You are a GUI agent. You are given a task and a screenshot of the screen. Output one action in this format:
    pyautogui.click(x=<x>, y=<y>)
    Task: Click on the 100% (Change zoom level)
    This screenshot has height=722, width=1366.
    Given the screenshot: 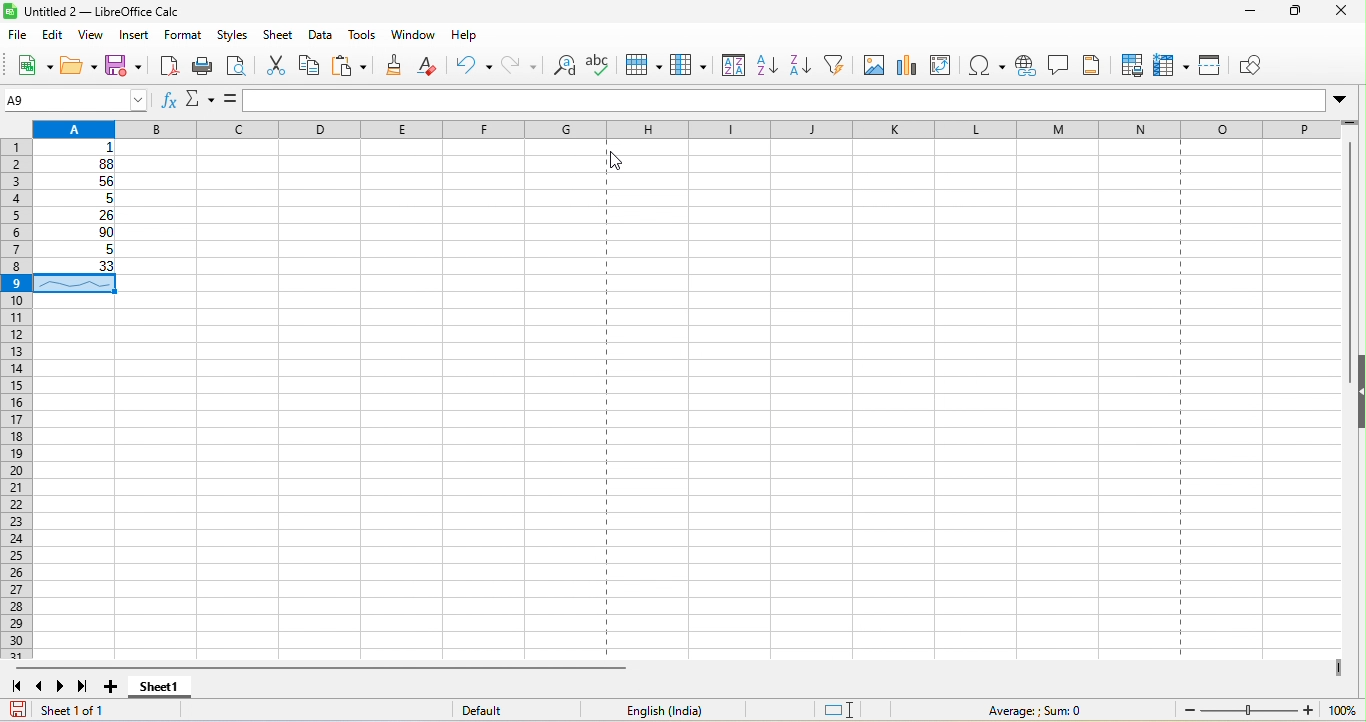 What is the action you would take?
    pyautogui.click(x=1271, y=709)
    